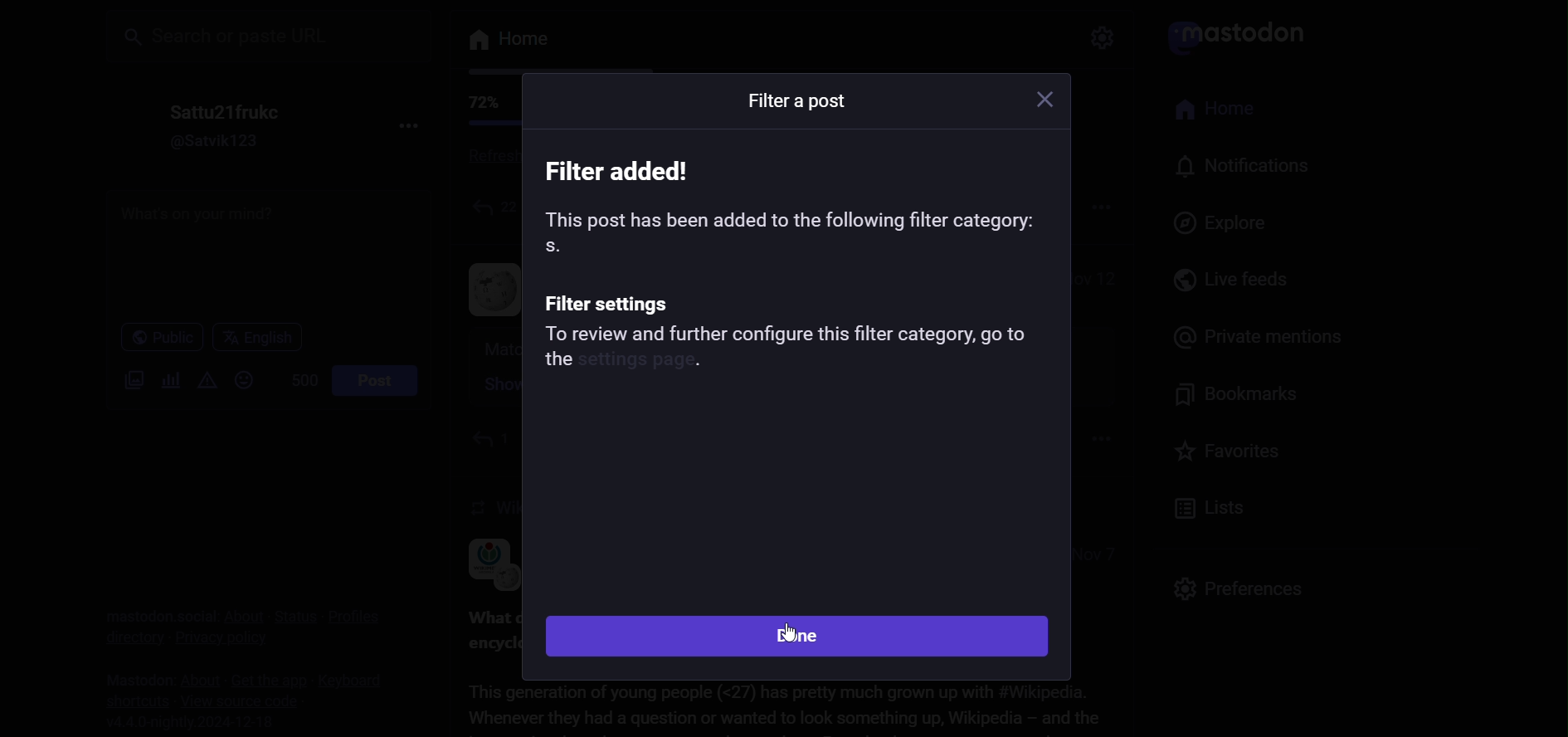 The height and width of the screenshot is (737, 1568). What do you see at coordinates (1231, 457) in the screenshot?
I see `favorite` at bounding box center [1231, 457].